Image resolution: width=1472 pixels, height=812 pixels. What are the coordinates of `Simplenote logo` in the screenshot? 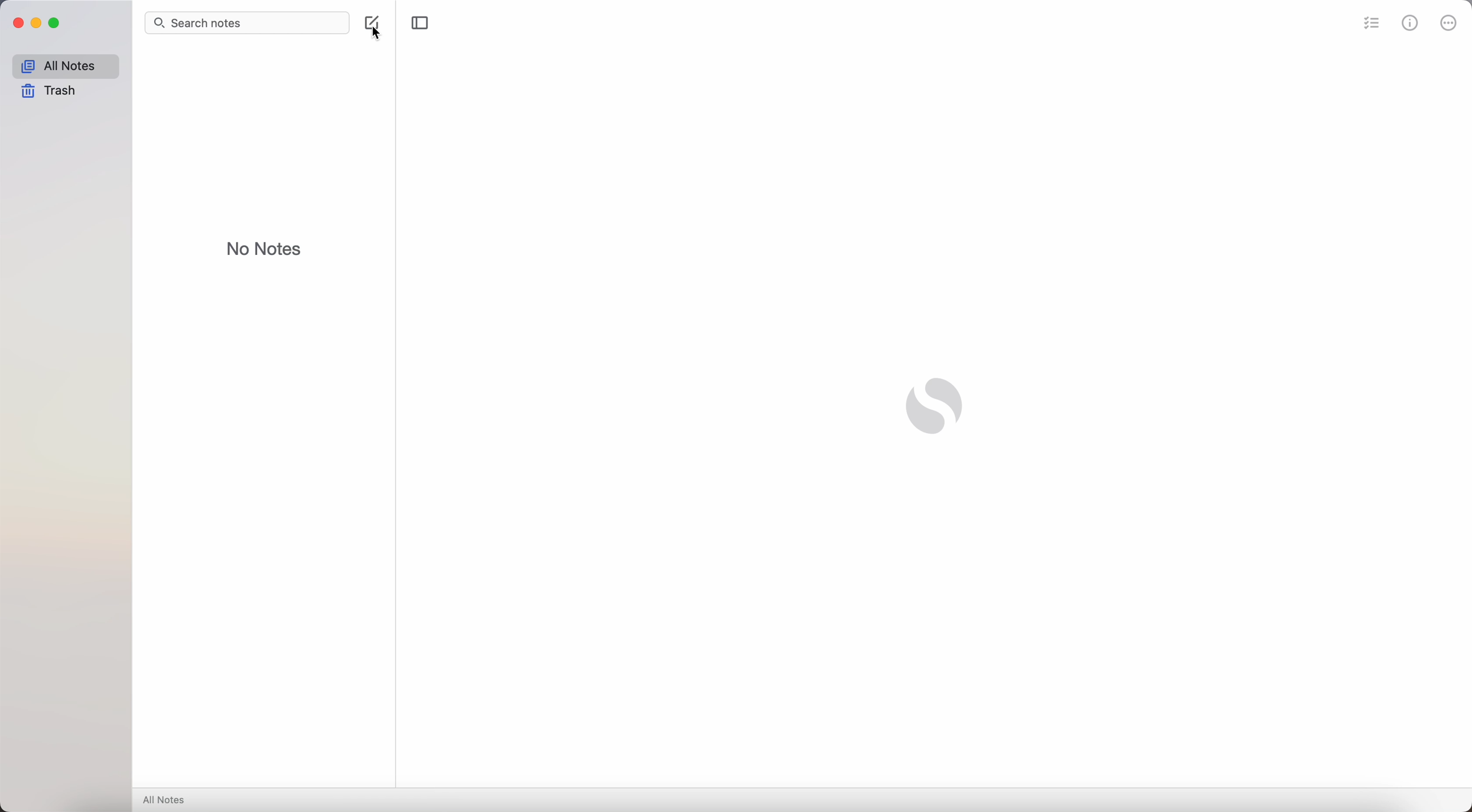 It's located at (936, 406).